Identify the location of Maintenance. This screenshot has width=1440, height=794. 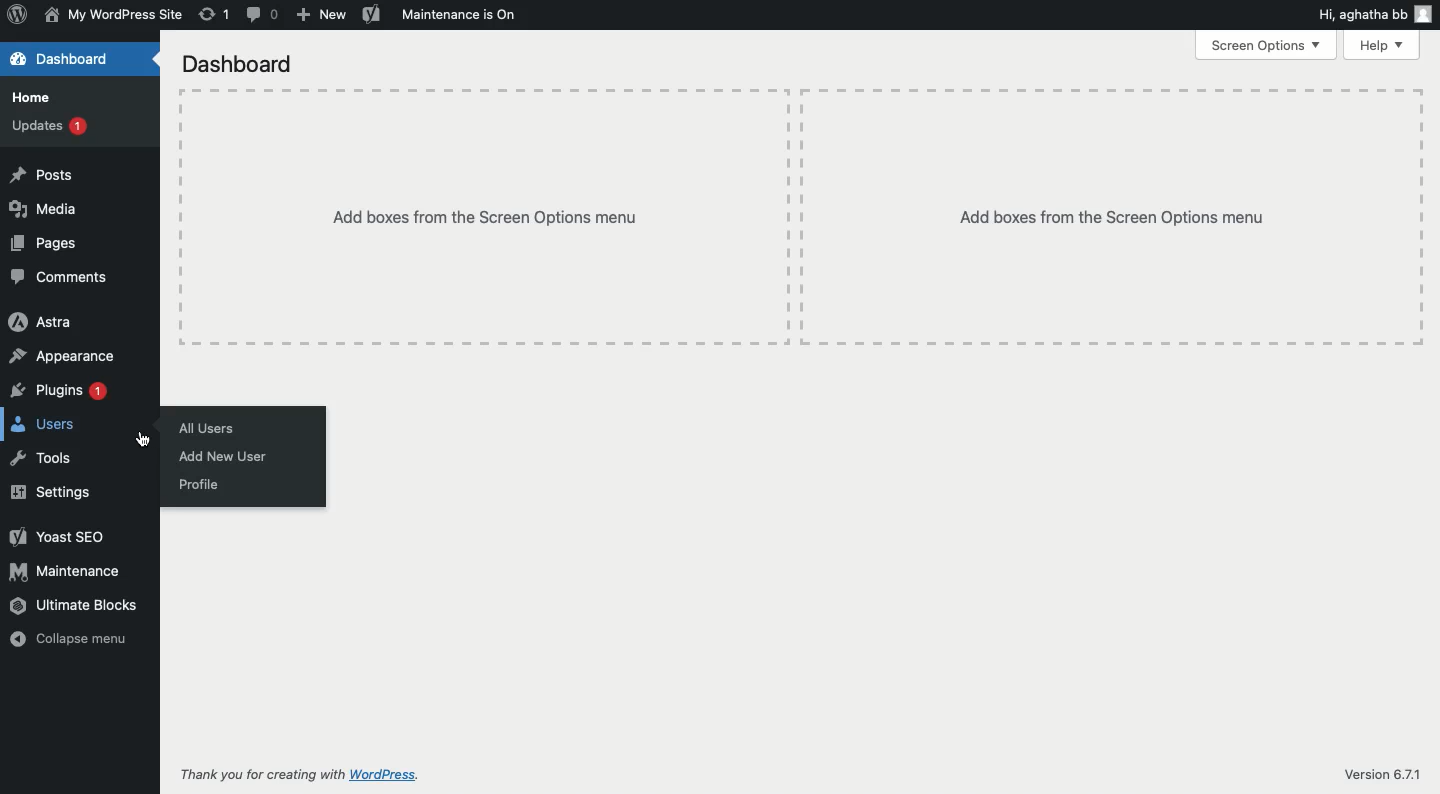
(66, 571).